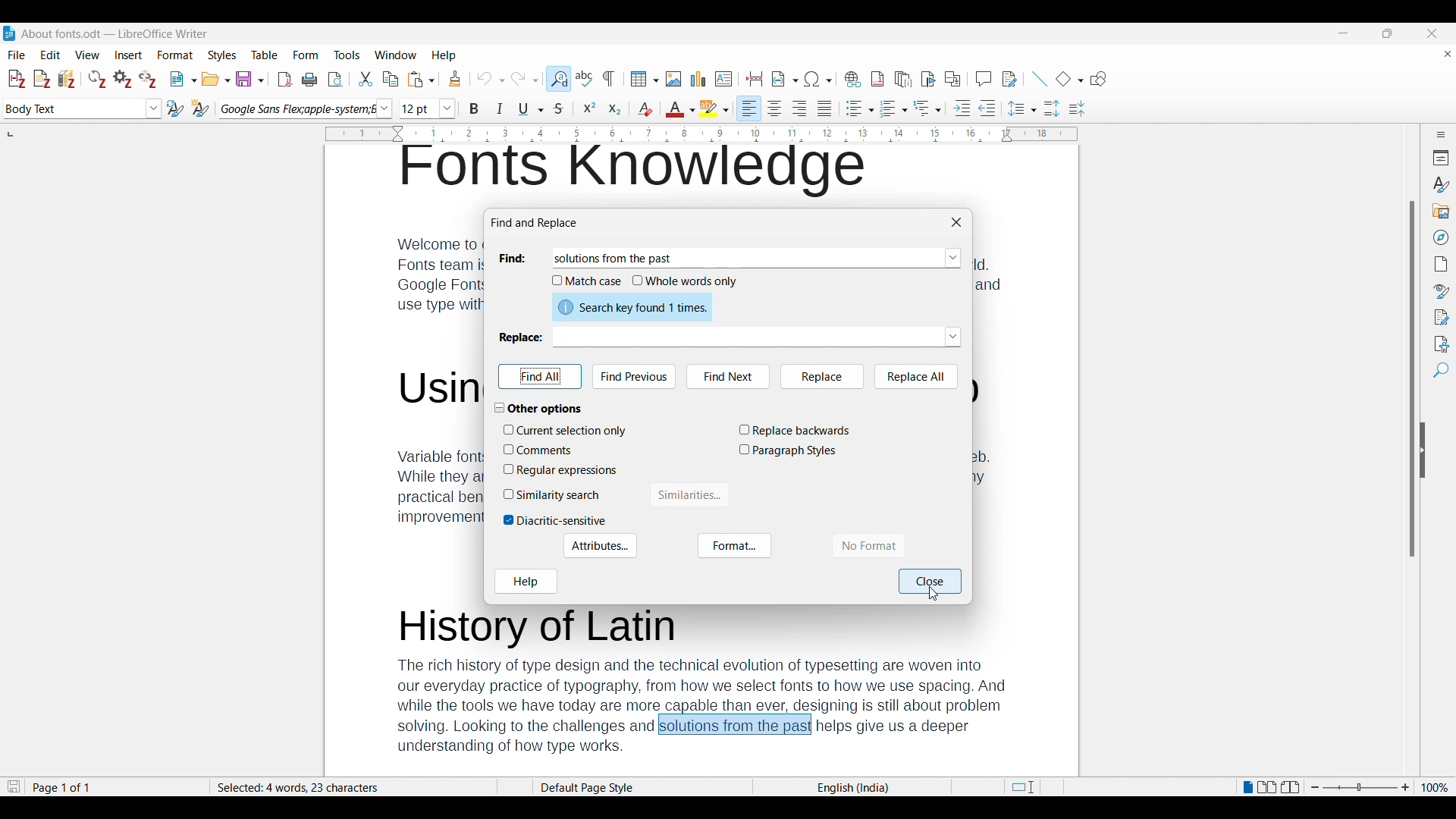 This screenshot has height=819, width=1456. Describe the element at coordinates (309, 79) in the screenshot. I see `Print` at that location.